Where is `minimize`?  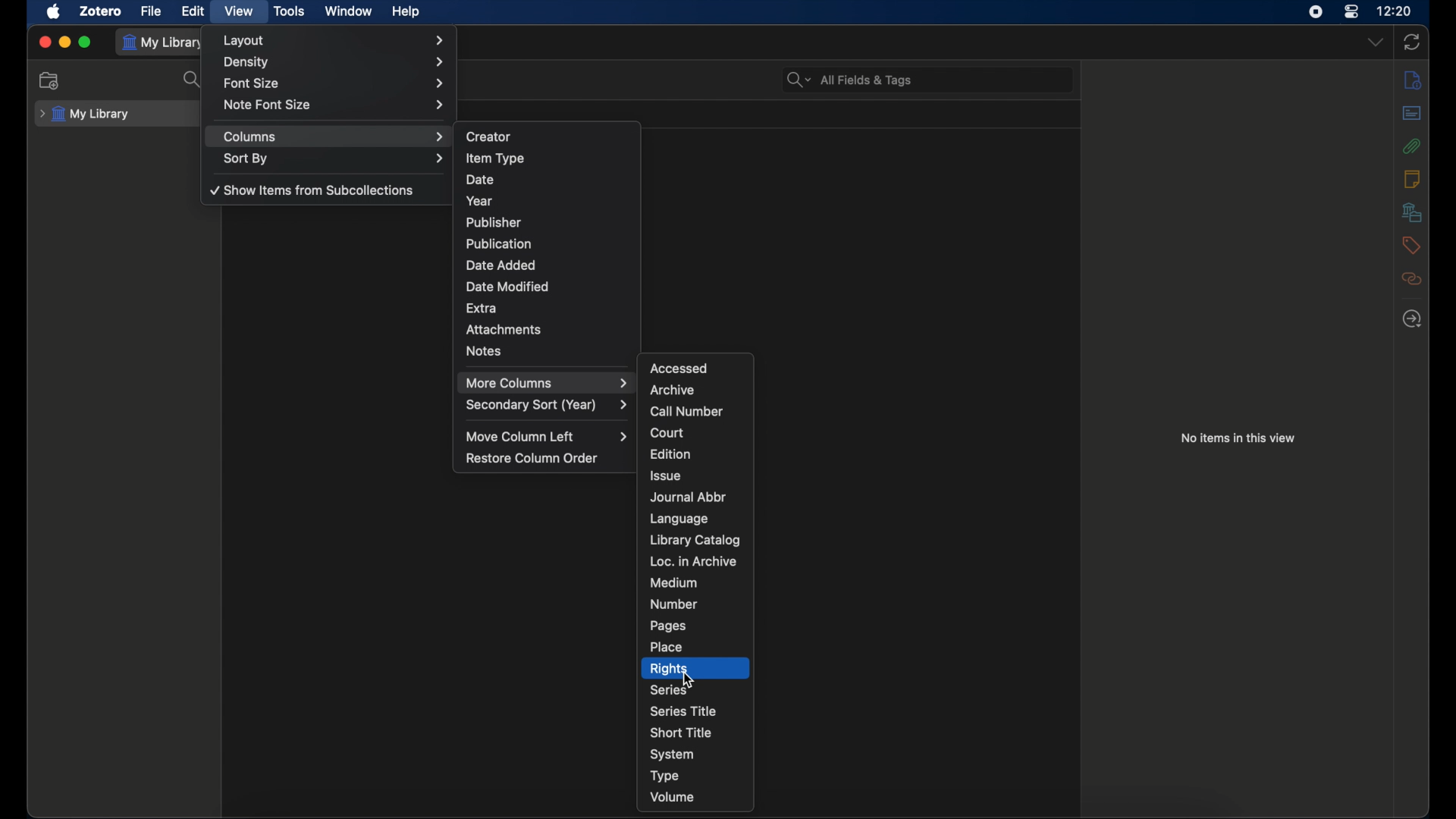
minimize is located at coordinates (65, 42).